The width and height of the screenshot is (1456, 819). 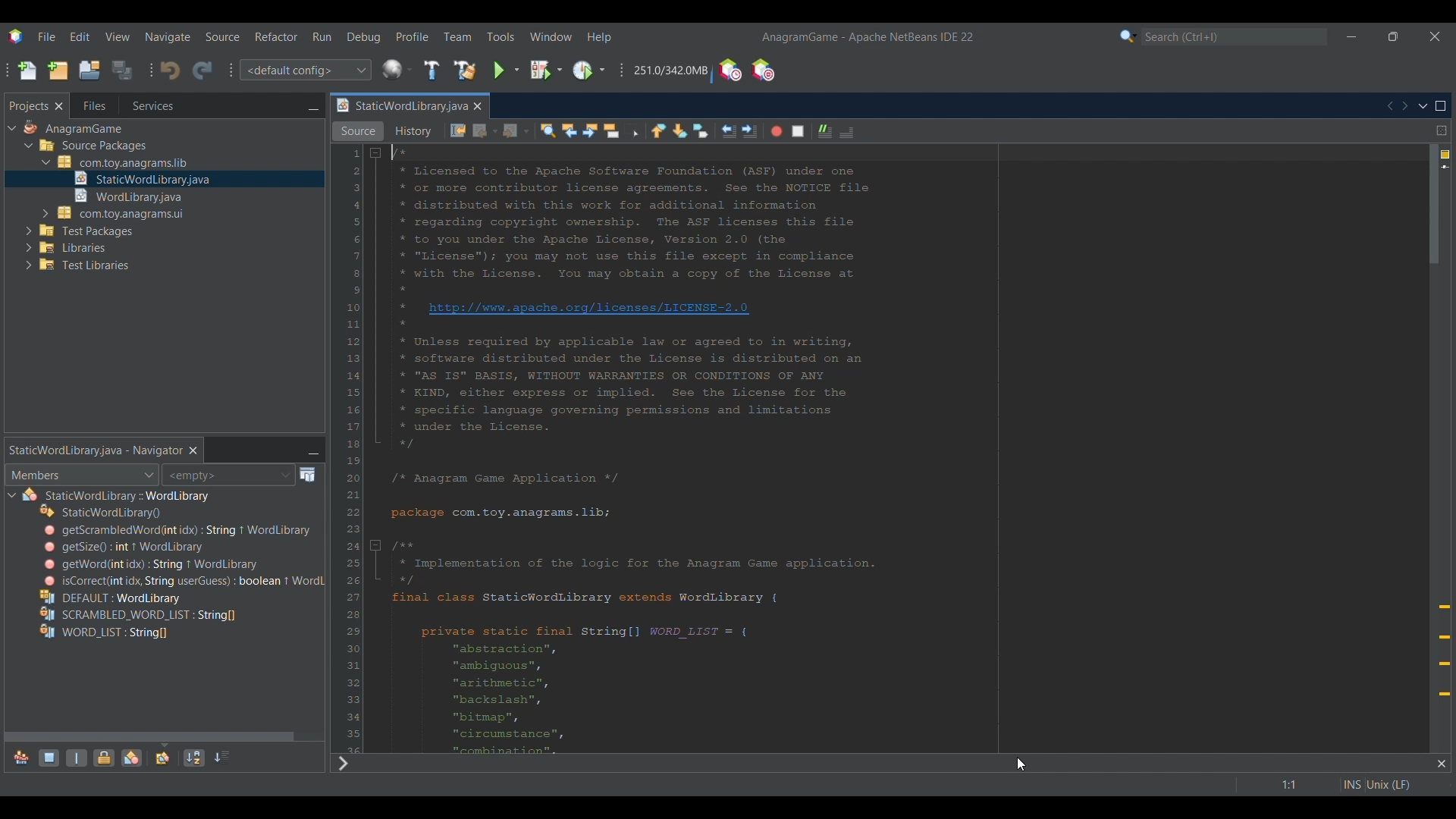 I want to click on , so click(x=123, y=546).